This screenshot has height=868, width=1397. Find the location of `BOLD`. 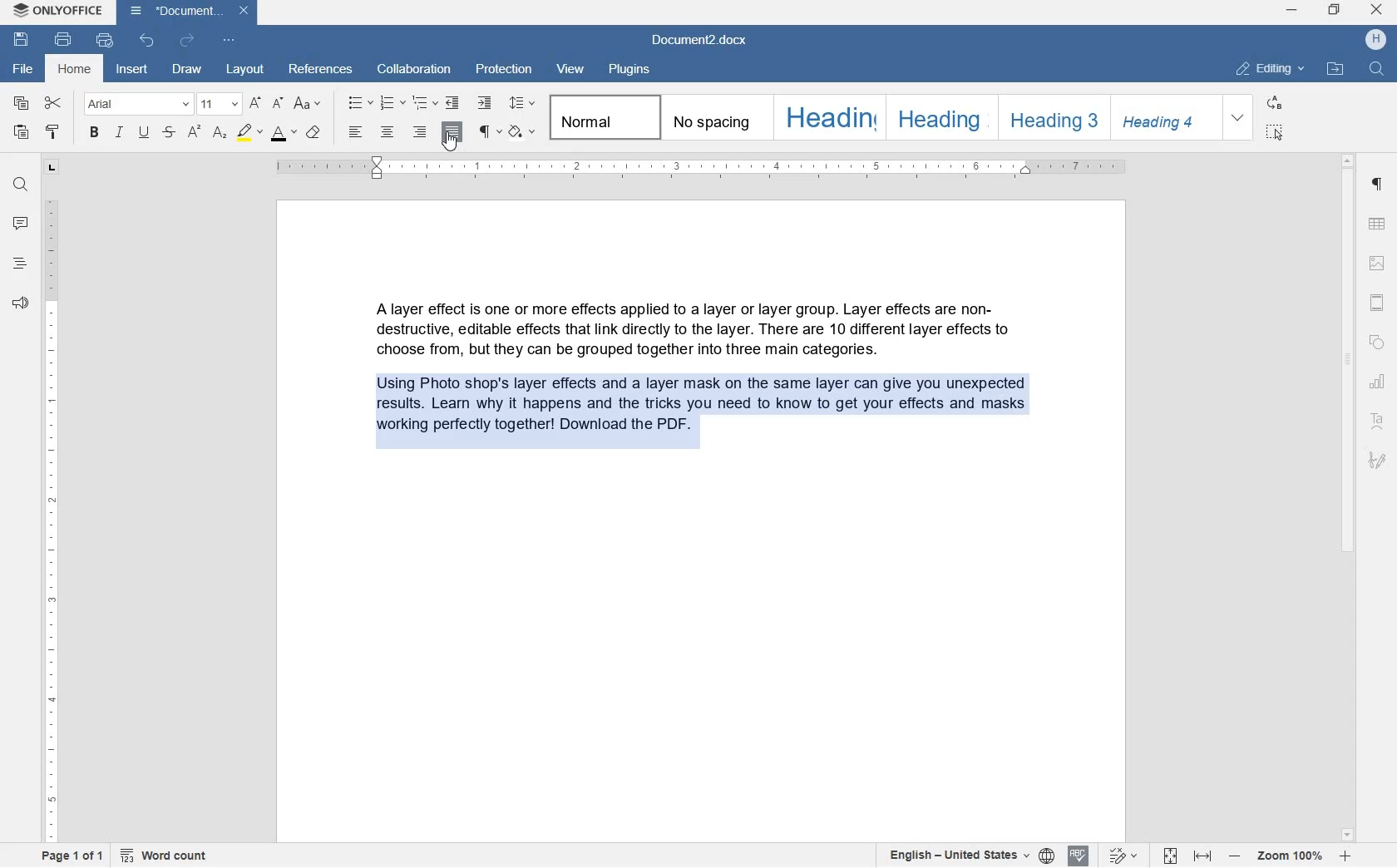

BOLD is located at coordinates (94, 133).